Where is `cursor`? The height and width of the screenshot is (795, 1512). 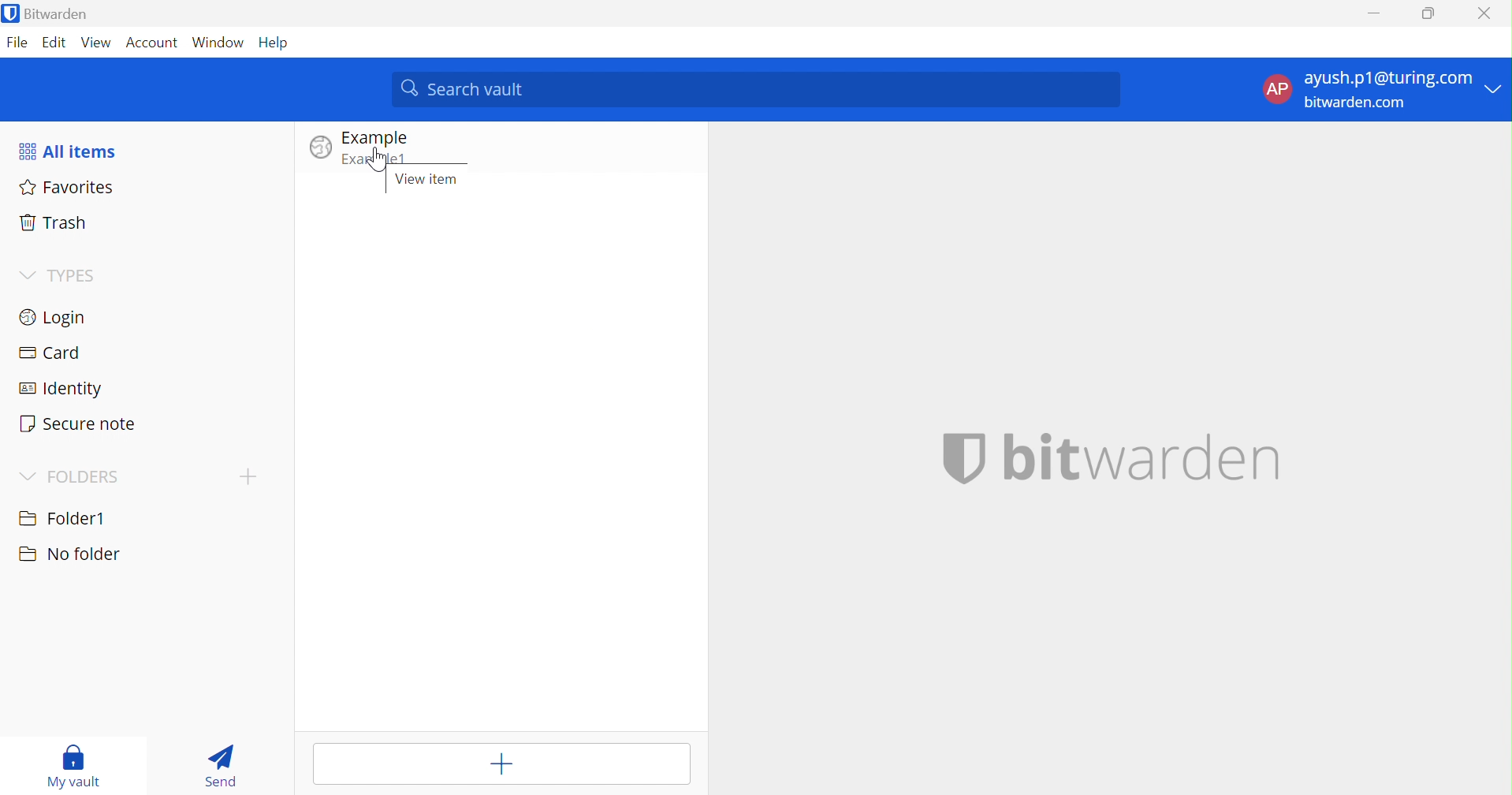 cursor is located at coordinates (382, 162).